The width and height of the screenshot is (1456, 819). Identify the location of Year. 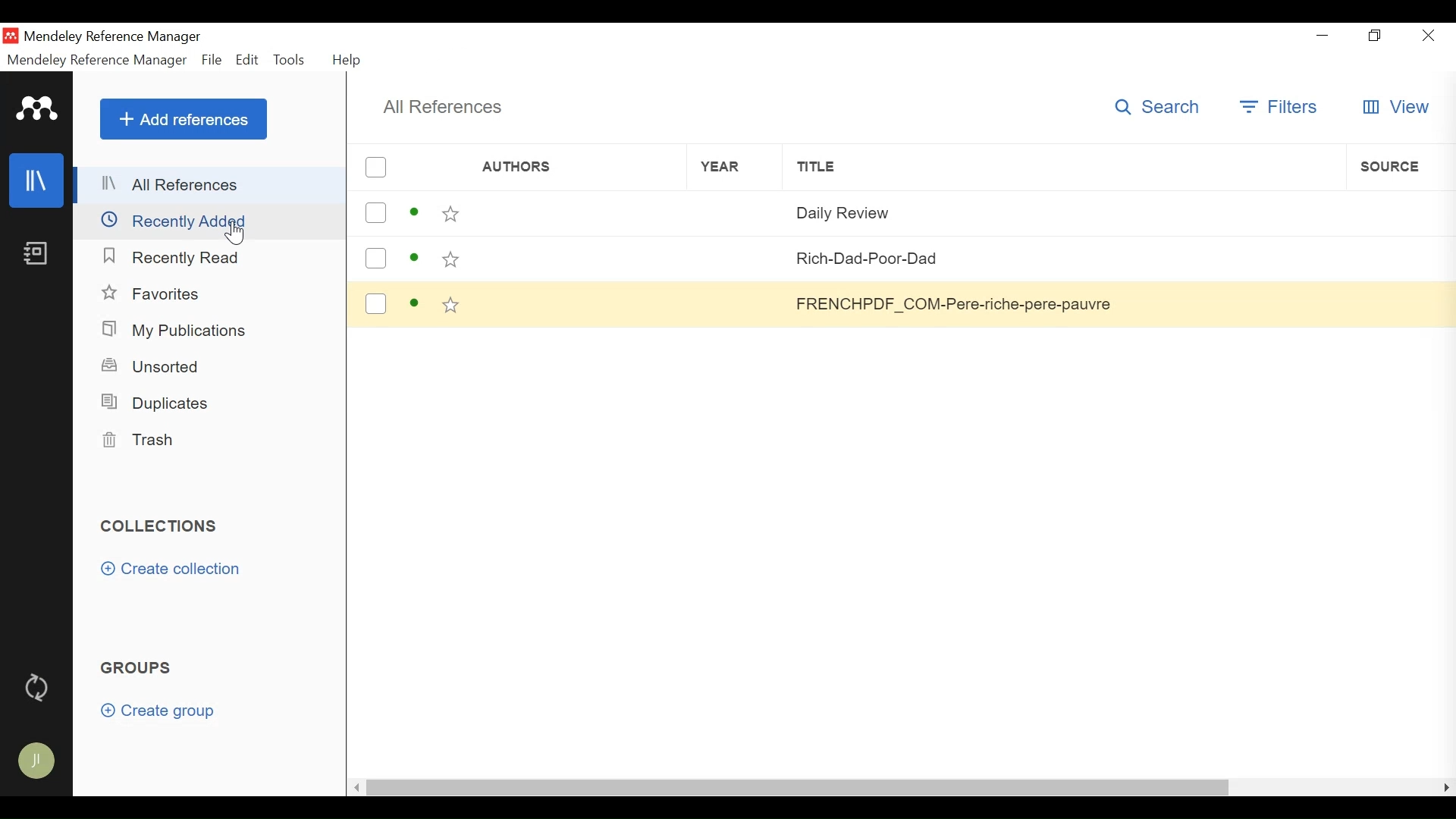
(712, 262).